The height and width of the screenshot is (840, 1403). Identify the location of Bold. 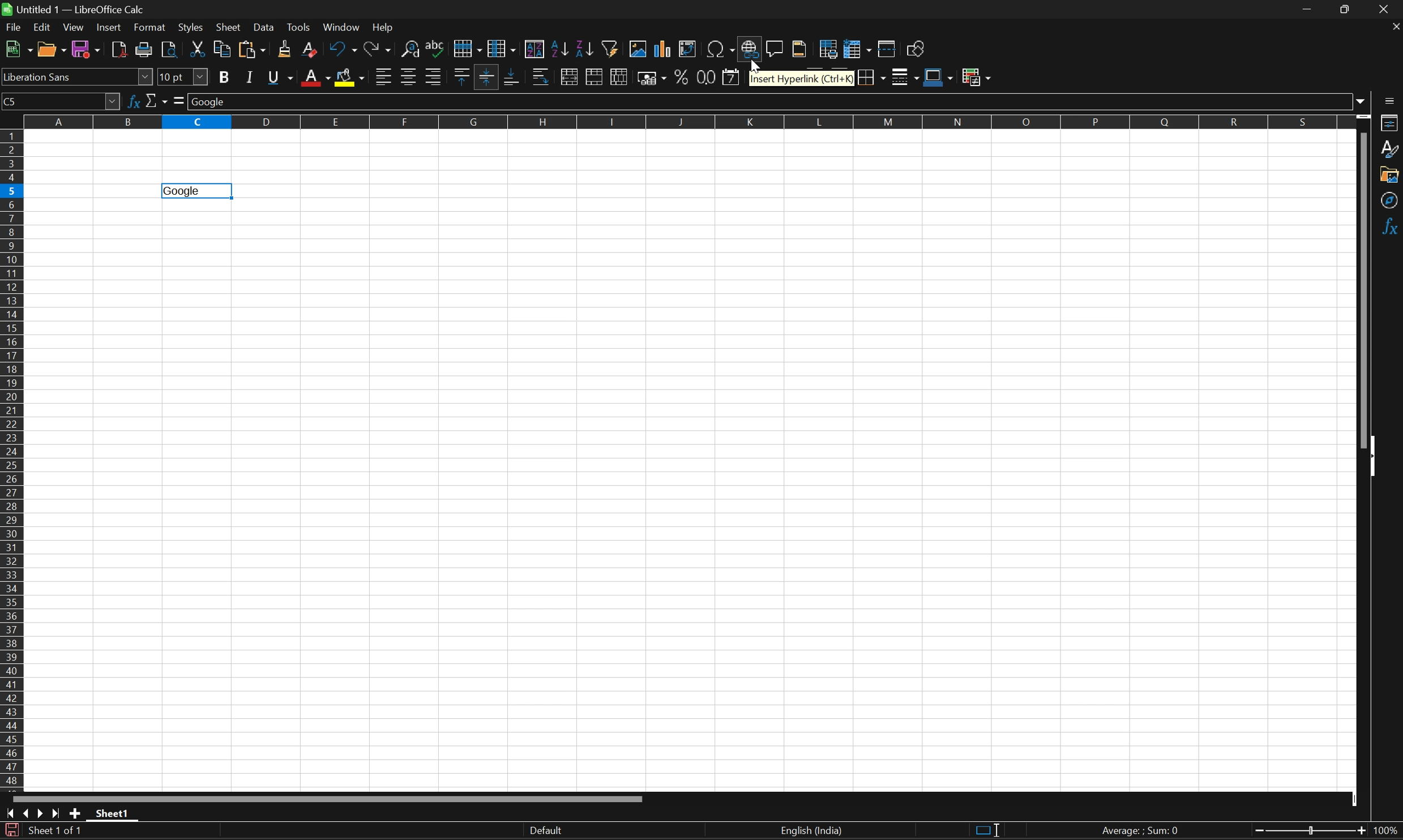
(226, 77).